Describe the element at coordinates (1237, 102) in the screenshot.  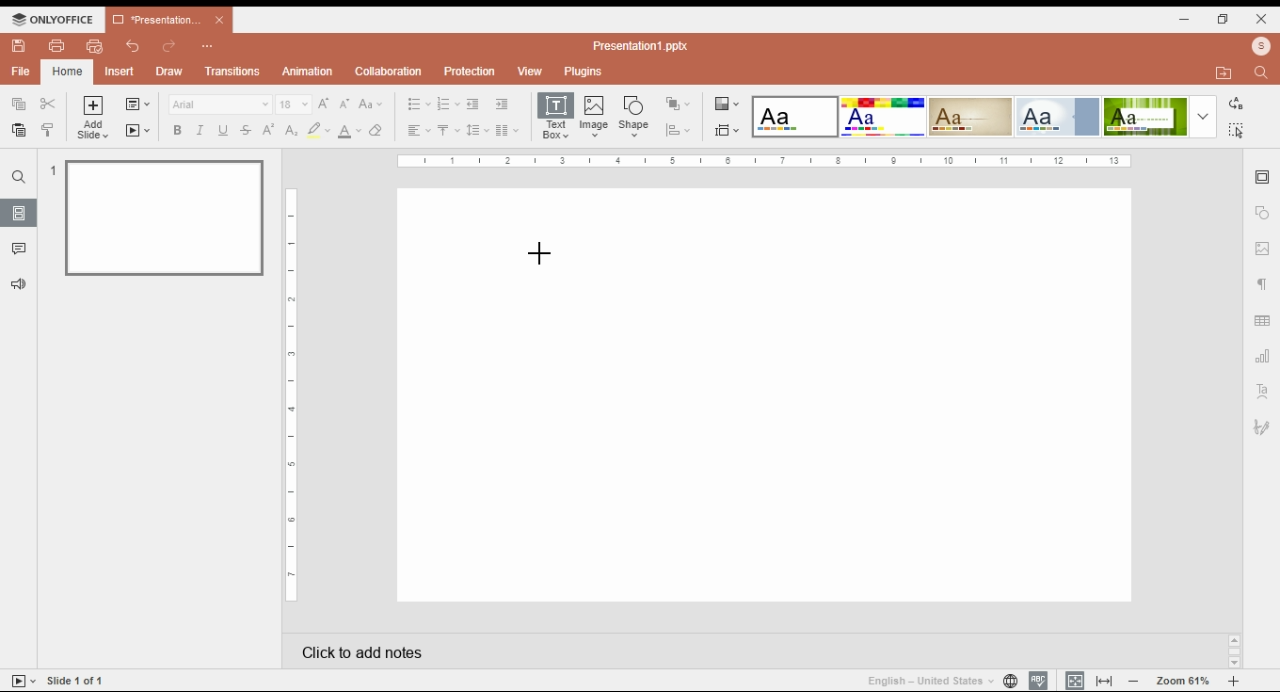
I see `replace` at that location.